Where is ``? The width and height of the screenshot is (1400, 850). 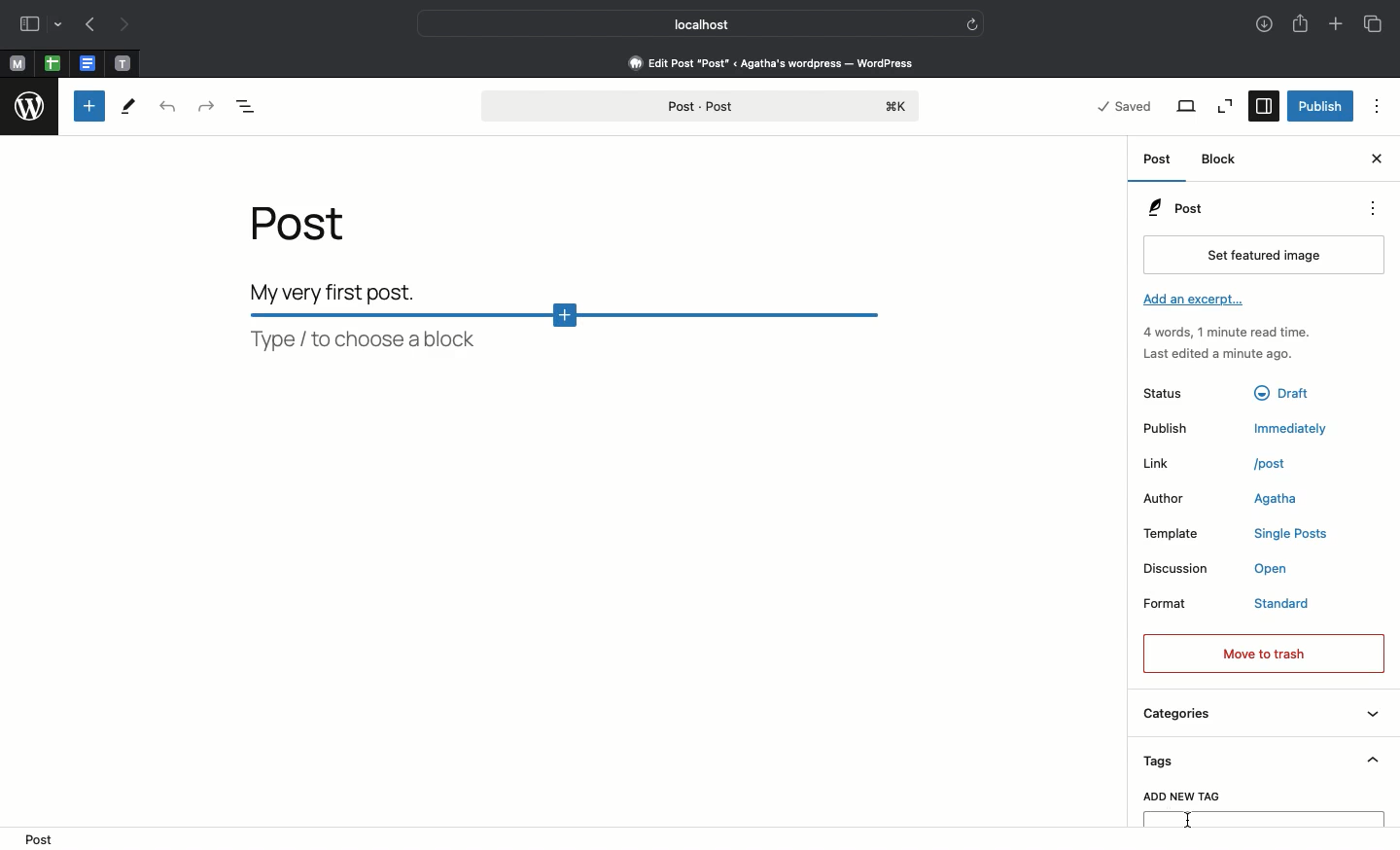
 is located at coordinates (974, 24).